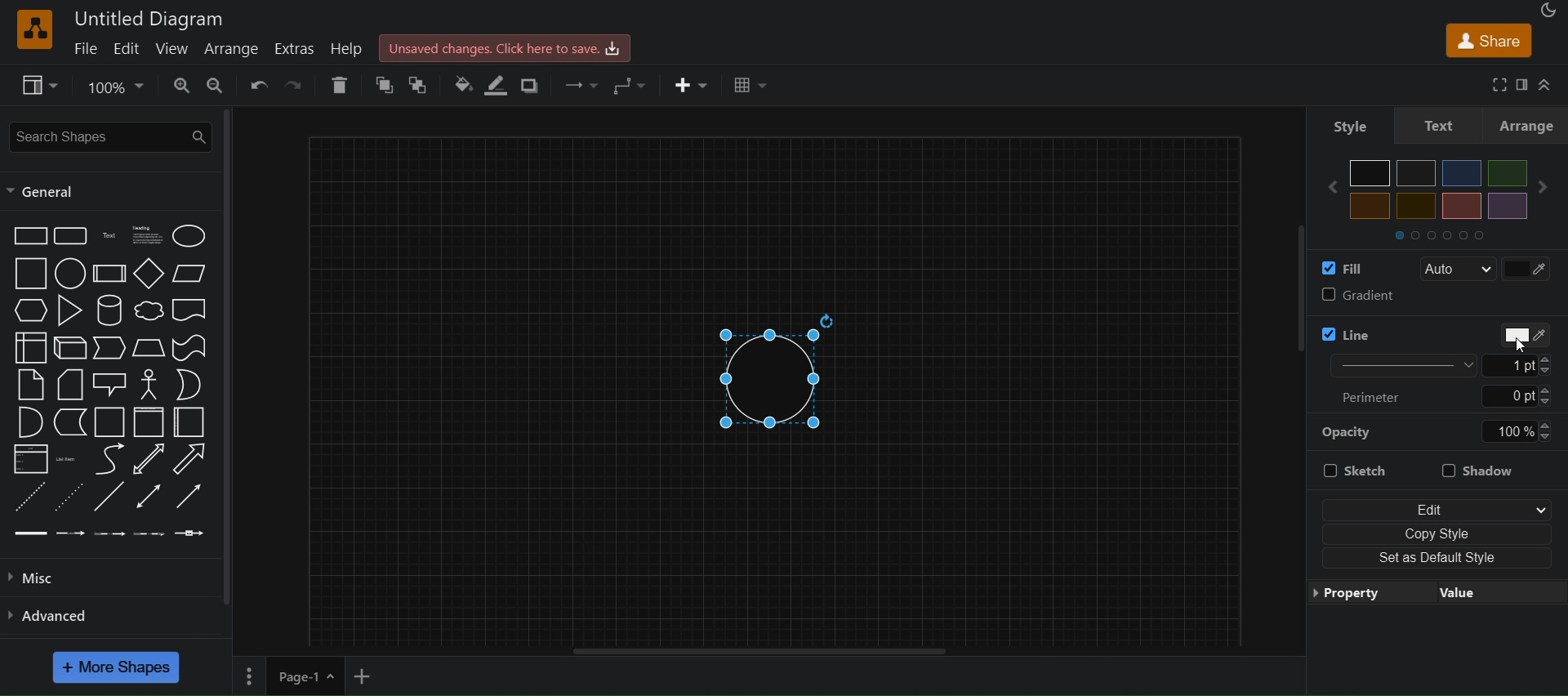 The image size is (1568, 696). I want to click on view, so click(42, 86).